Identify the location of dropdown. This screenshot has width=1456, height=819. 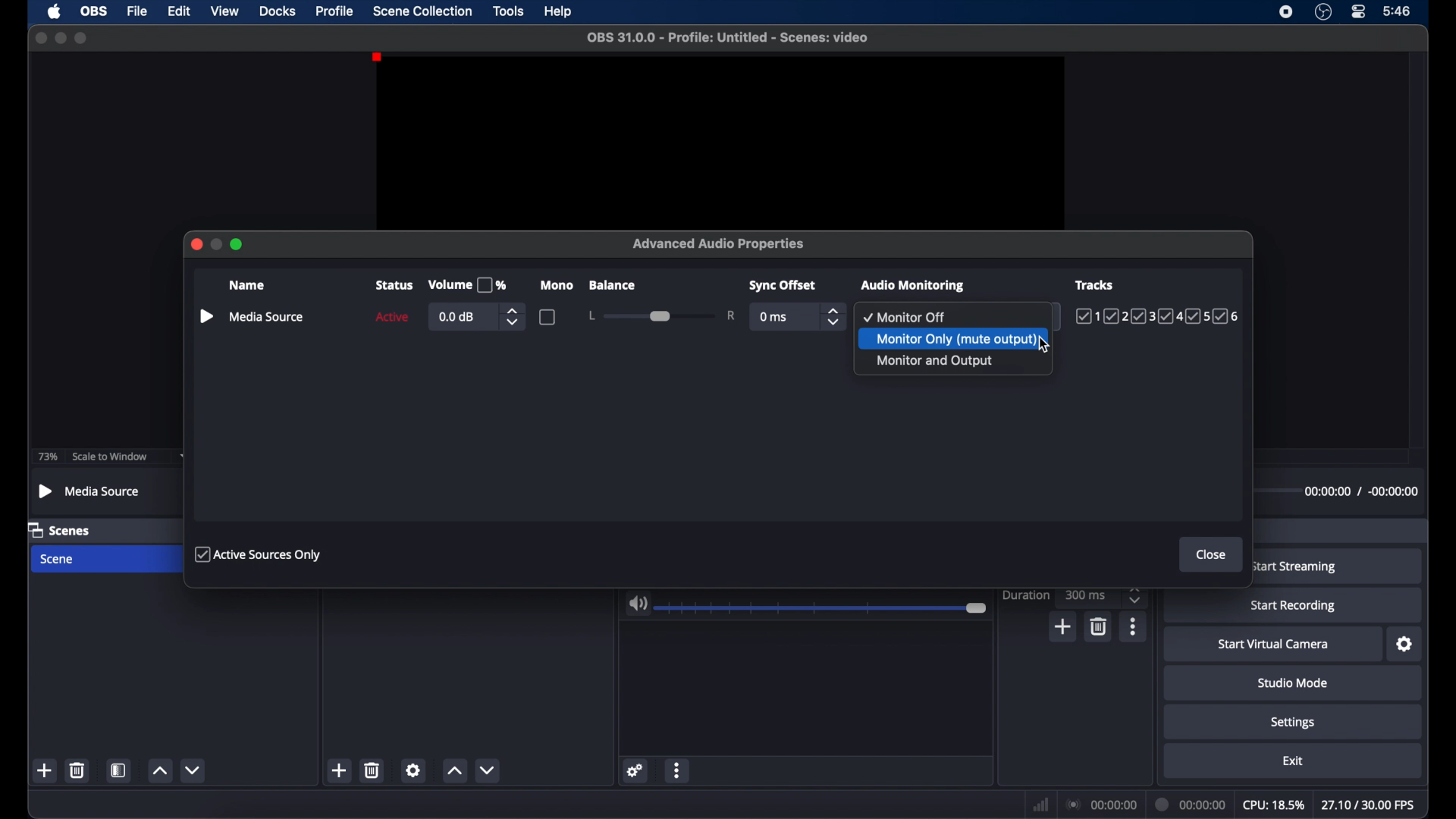
(1050, 317).